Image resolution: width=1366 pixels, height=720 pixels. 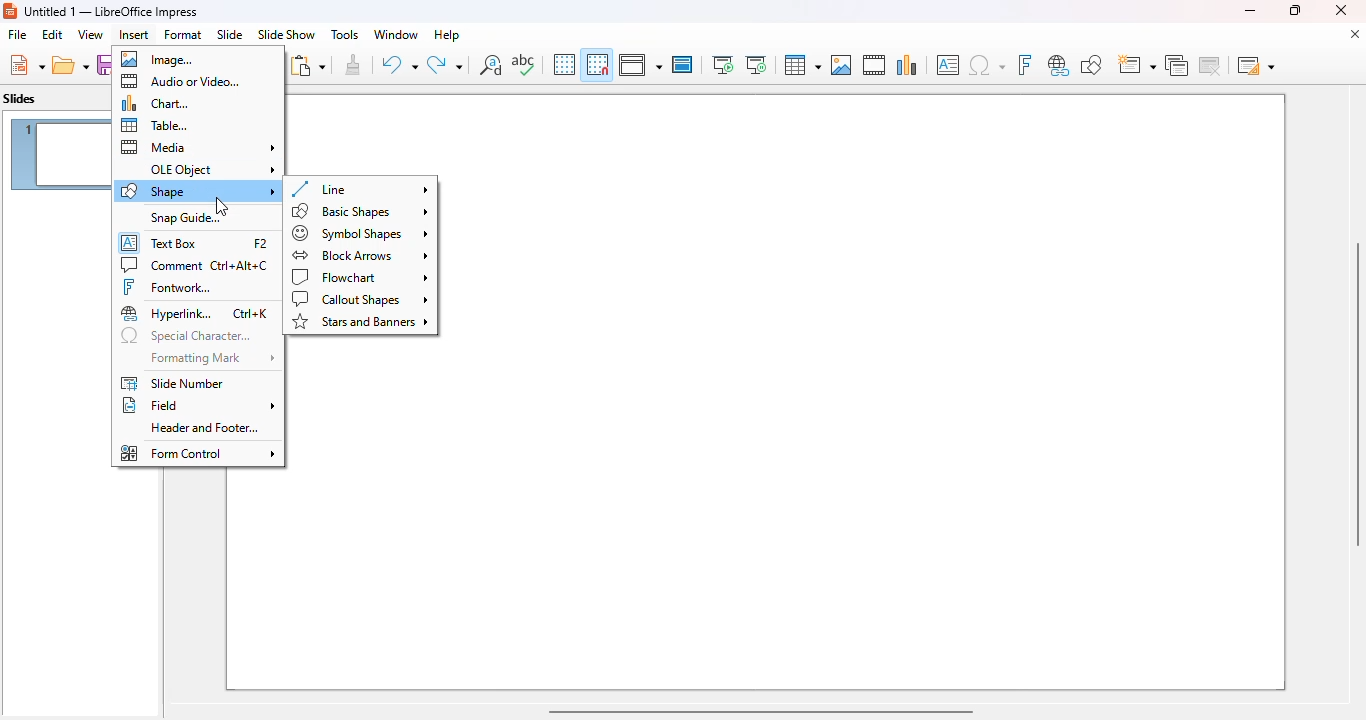 What do you see at coordinates (286, 35) in the screenshot?
I see `slide show` at bounding box center [286, 35].